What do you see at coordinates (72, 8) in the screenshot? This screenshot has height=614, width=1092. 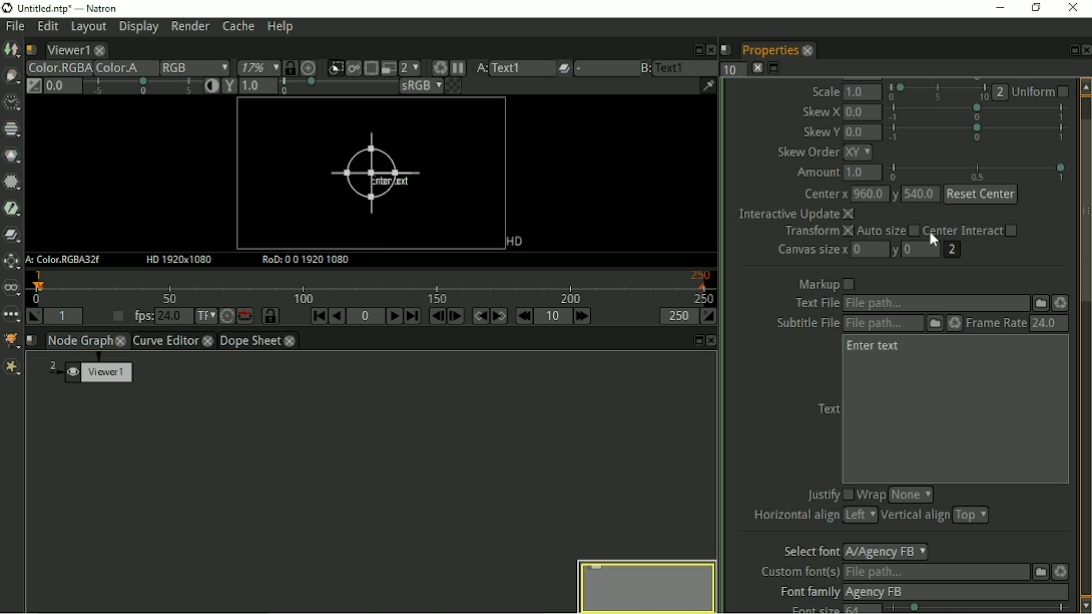 I see `title` at bounding box center [72, 8].